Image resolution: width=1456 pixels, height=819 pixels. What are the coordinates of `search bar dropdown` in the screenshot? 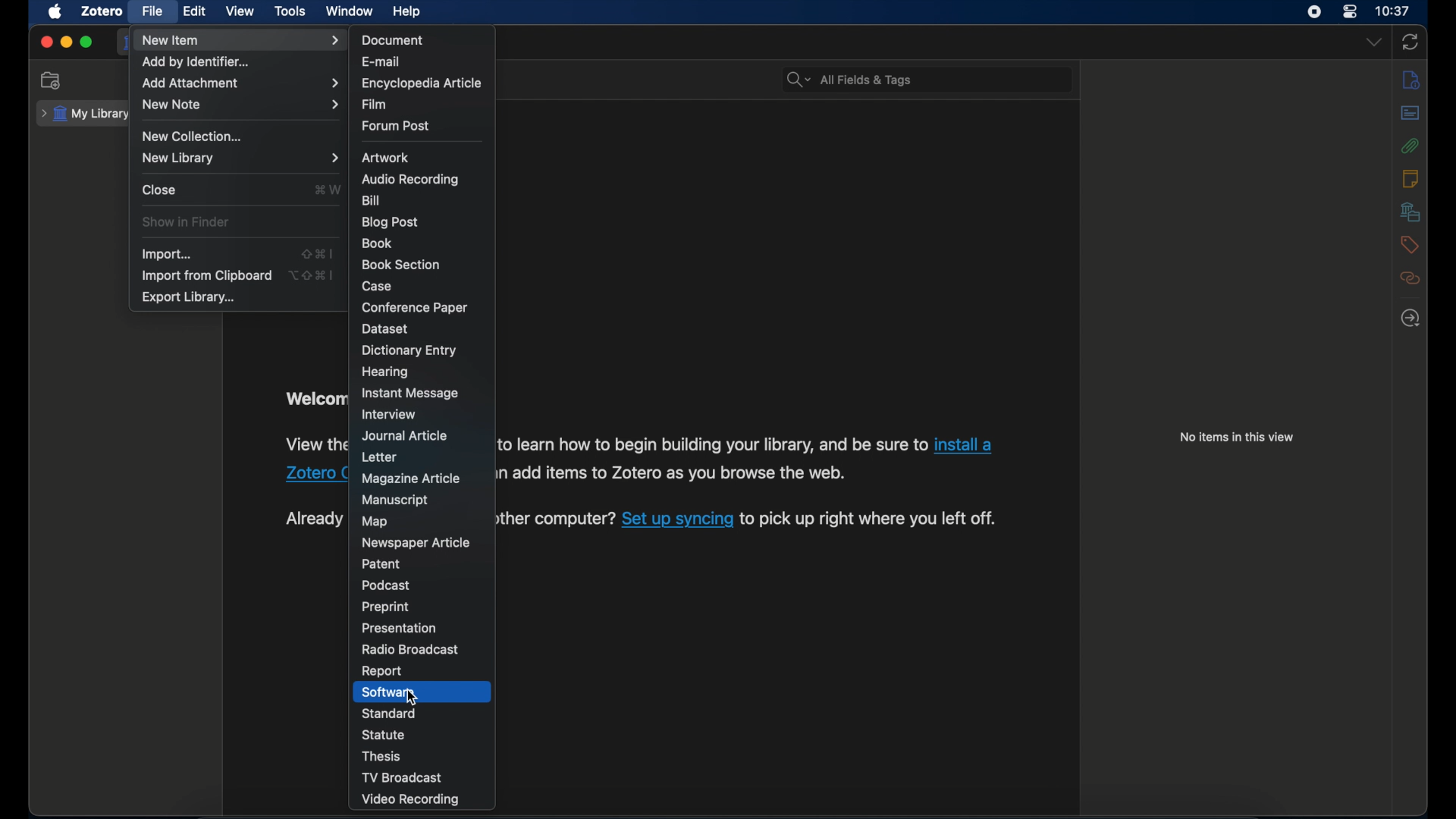 It's located at (795, 77).